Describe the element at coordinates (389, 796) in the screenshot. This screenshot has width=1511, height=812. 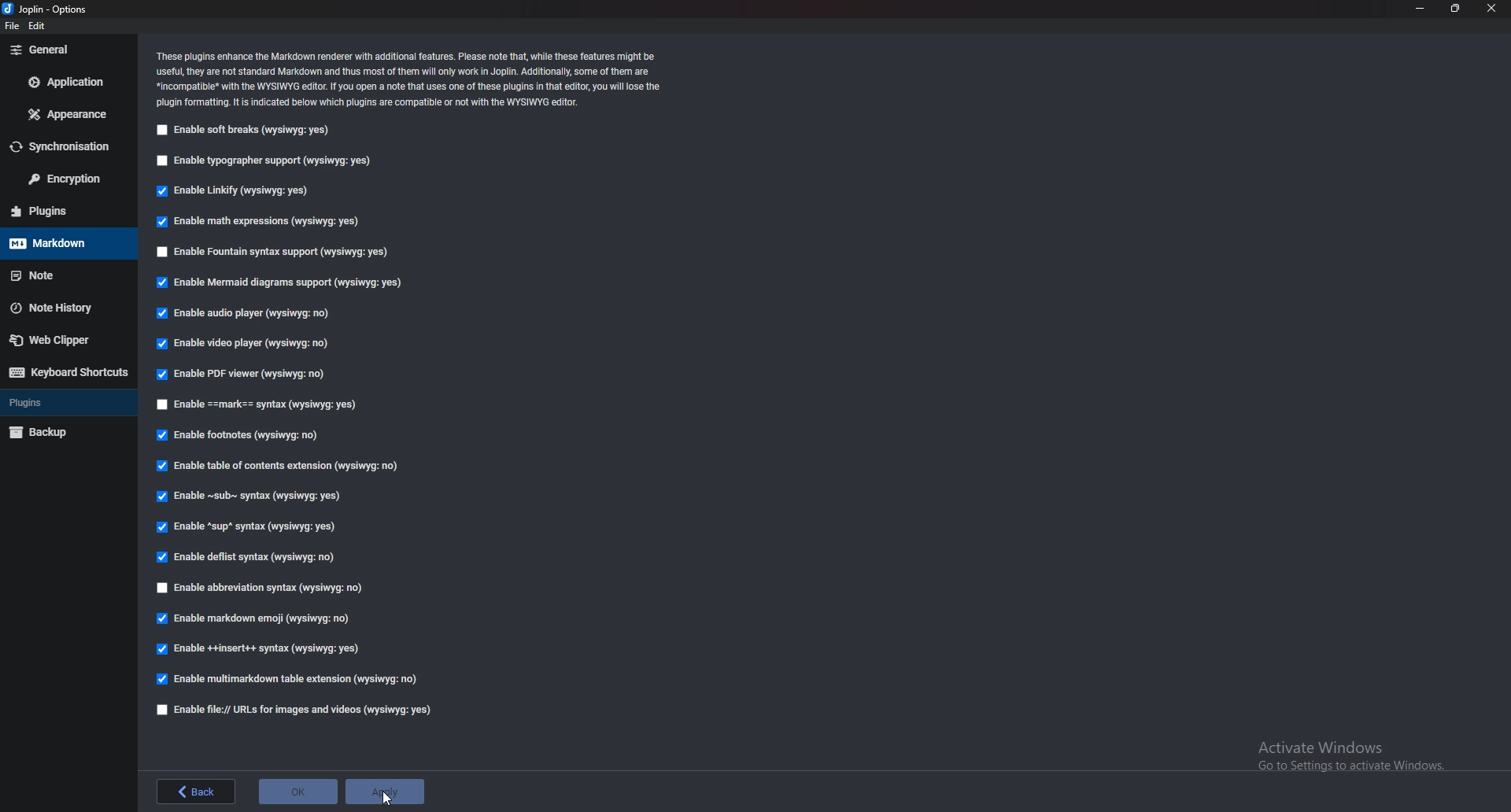
I see `cursor` at that location.